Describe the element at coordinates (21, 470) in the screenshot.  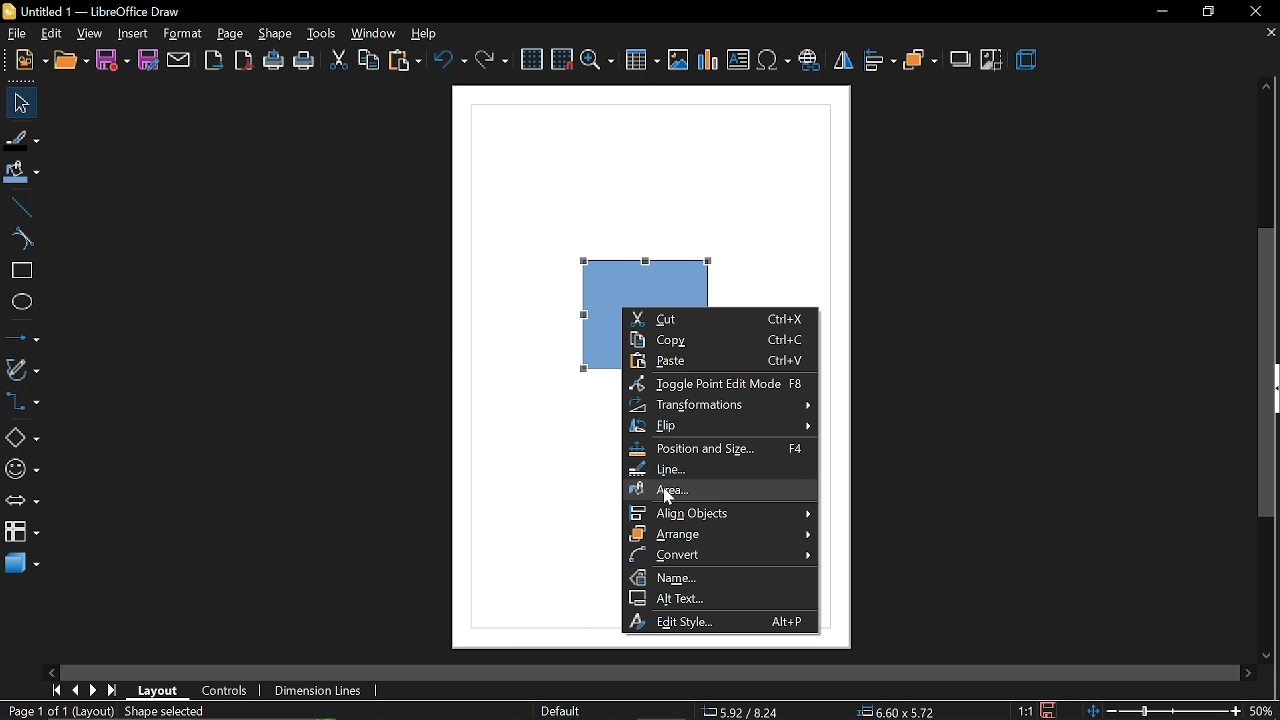
I see `symbol shapes` at that location.